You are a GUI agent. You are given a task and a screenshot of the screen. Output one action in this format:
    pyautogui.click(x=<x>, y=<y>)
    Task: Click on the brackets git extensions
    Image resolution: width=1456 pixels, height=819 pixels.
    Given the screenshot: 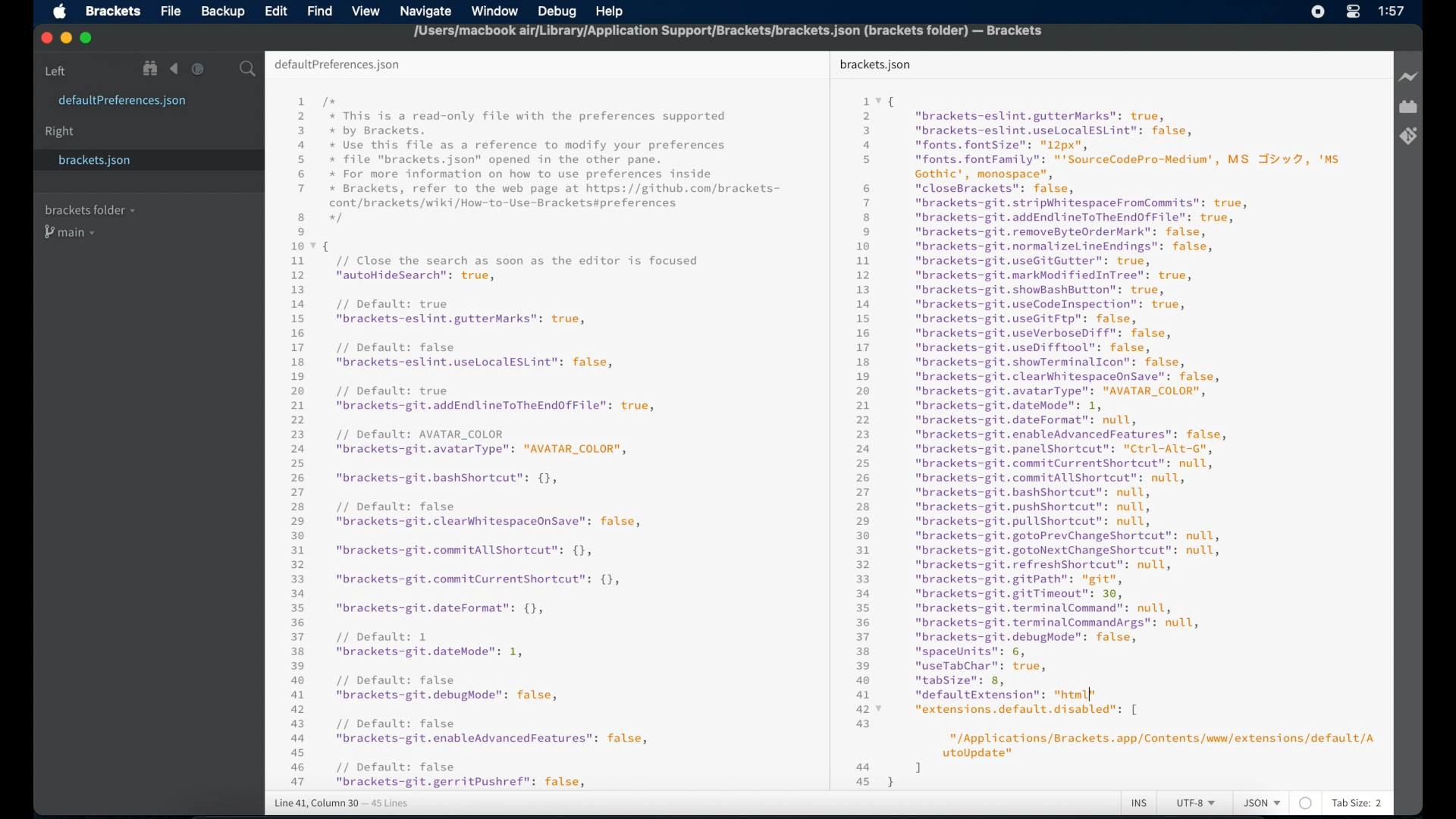 What is the action you would take?
    pyautogui.click(x=1408, y=136)
    